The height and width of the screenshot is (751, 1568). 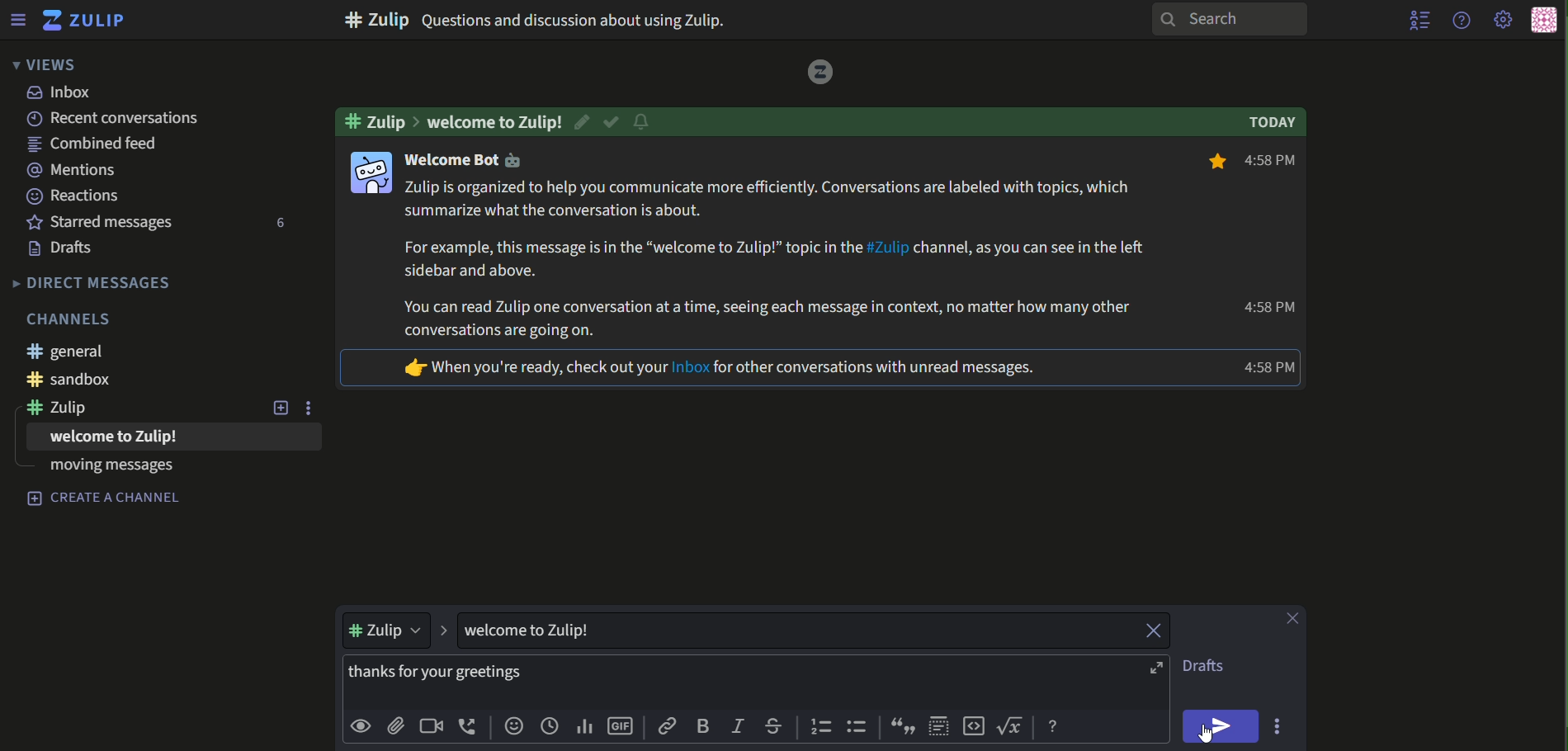 What do you see at coordinates (1213, 163) in the screenshot?
I see `bookmark` at bounding box center [1213, 163].